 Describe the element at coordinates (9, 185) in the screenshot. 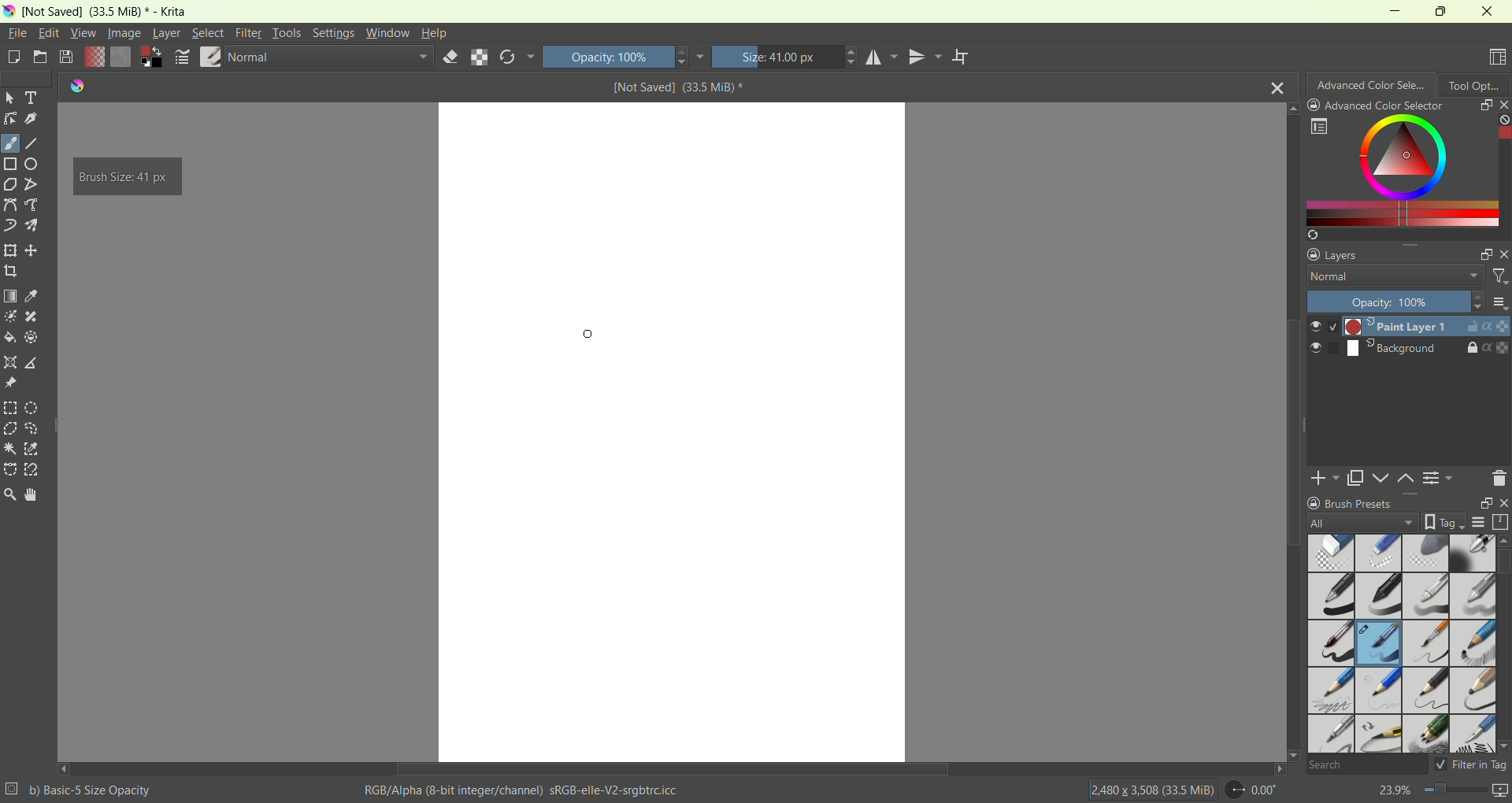

I see `polygon` at that location.